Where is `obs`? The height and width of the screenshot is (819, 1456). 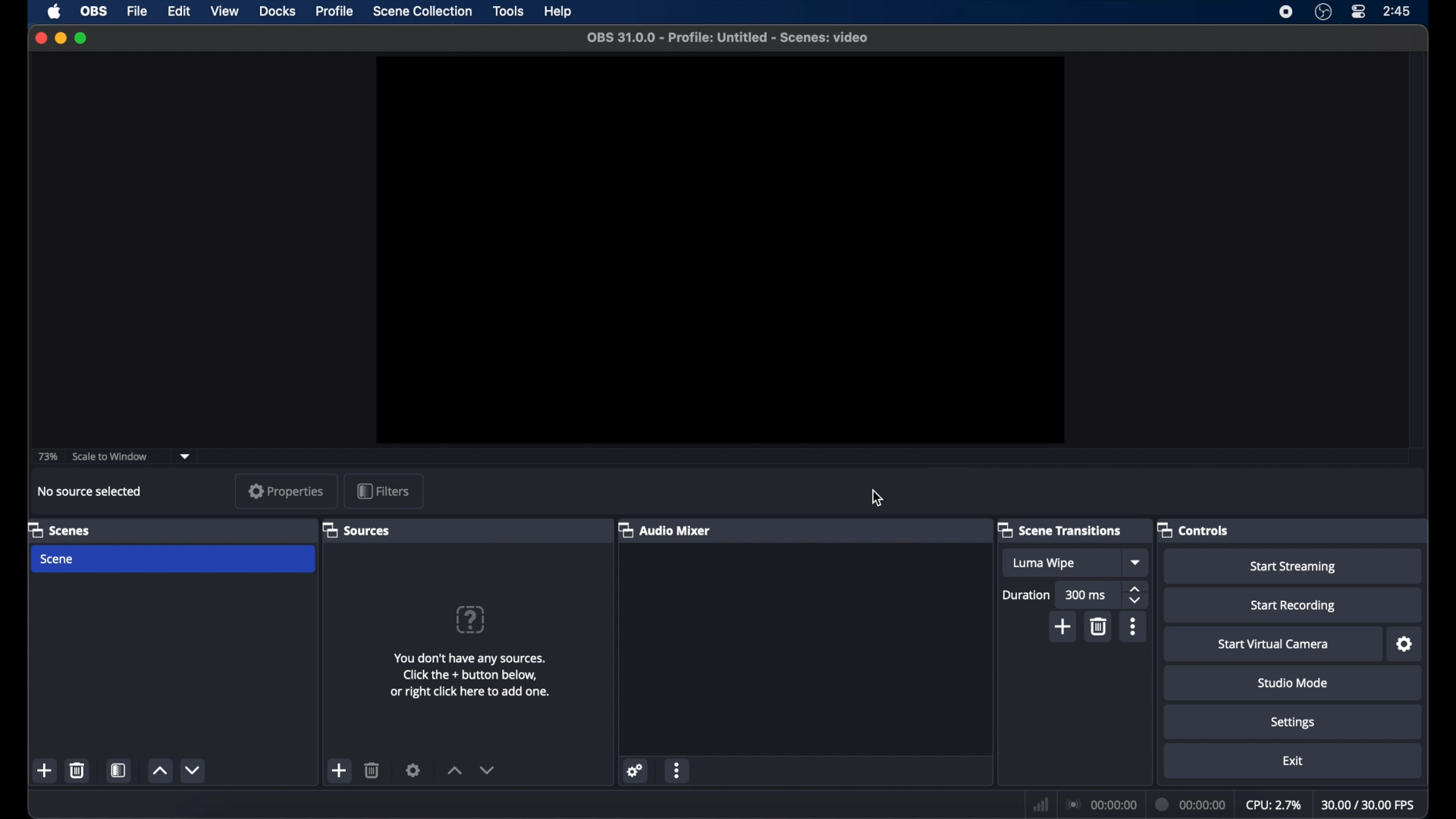
obs is located at coordinates (96, 11).